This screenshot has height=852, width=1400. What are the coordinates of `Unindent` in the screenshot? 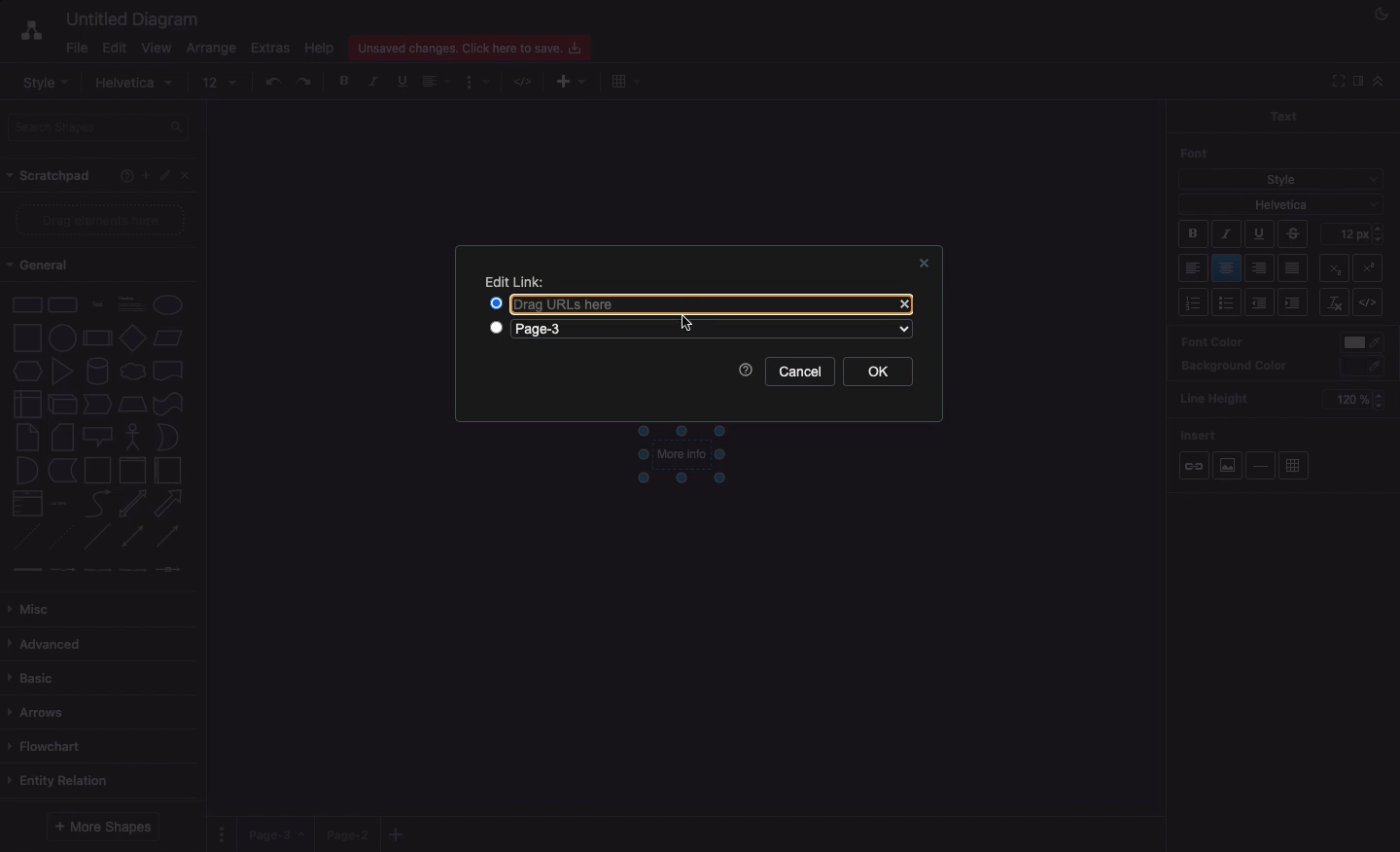 It's located at (1262, 302).